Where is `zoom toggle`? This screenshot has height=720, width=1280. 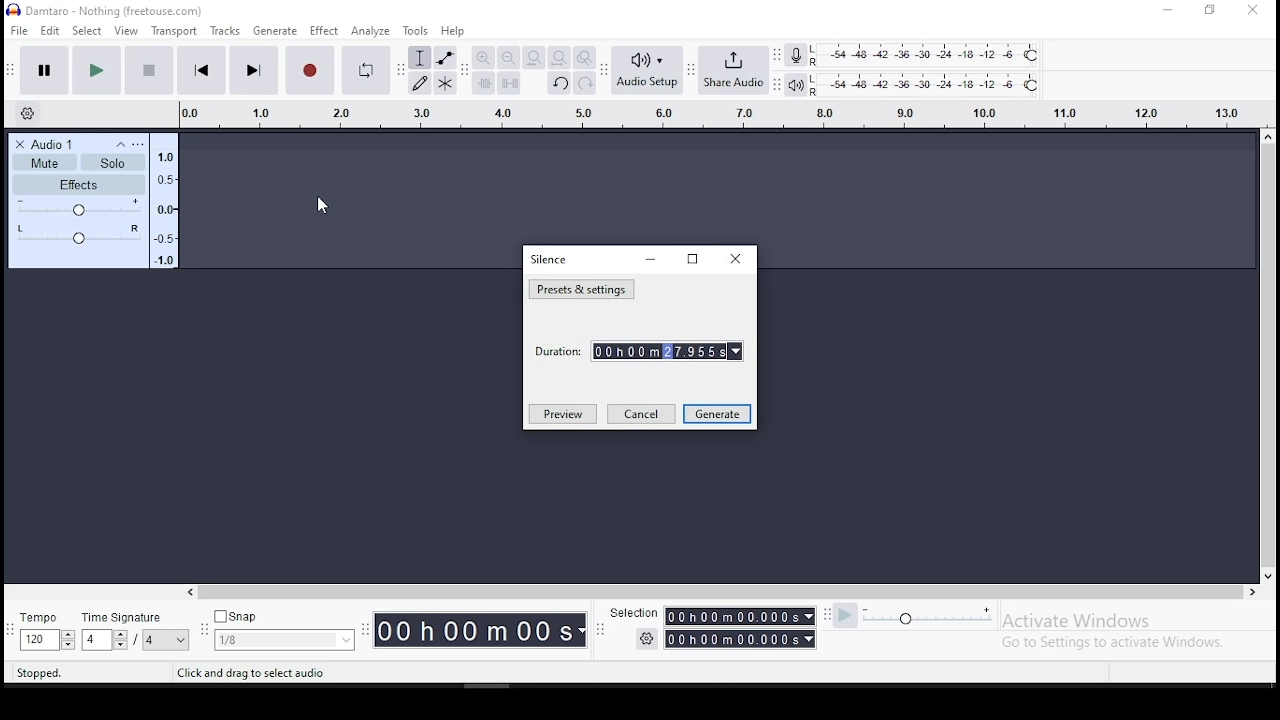
zoom toggle is located at coordinates (585, 58).